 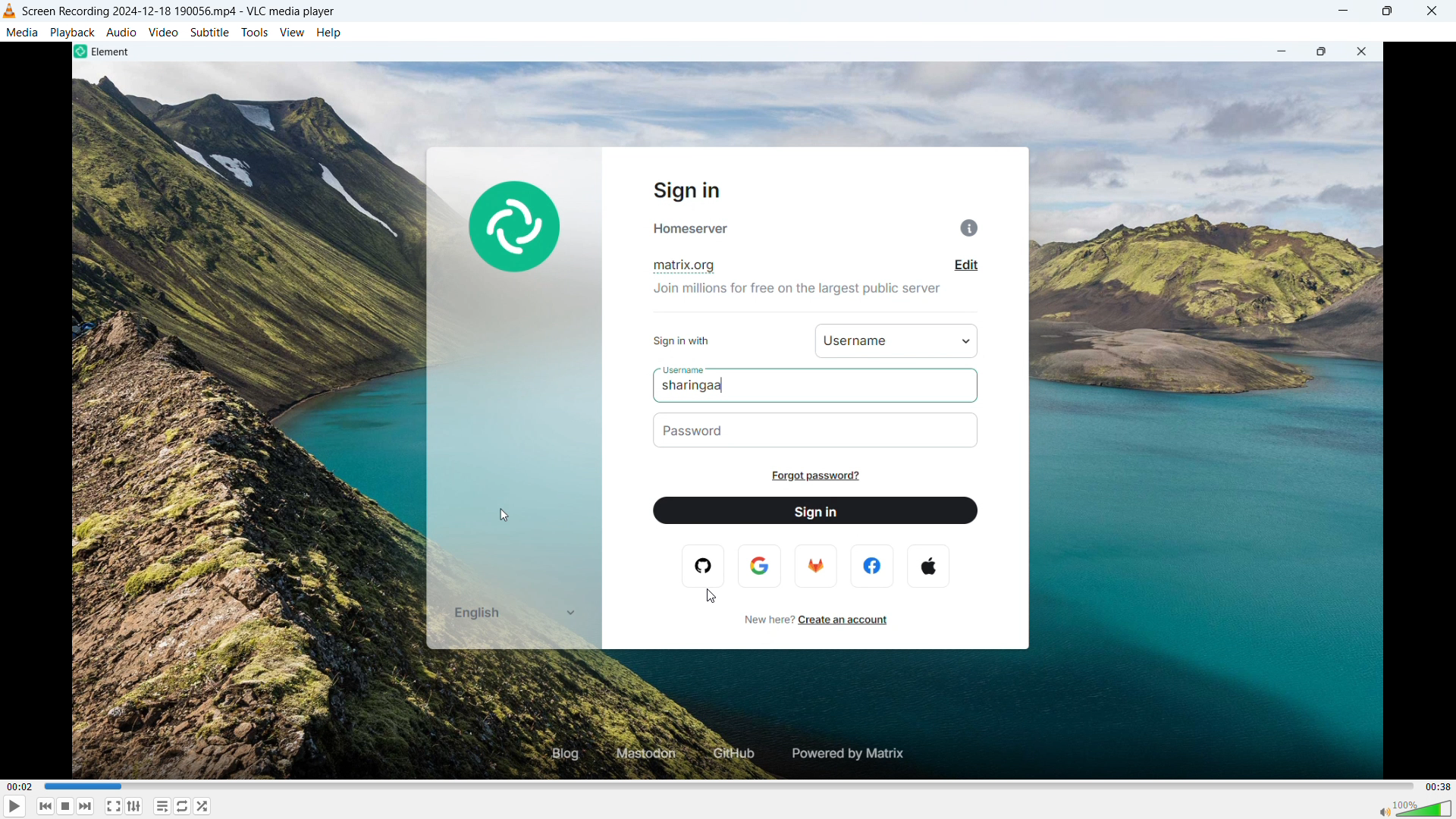 What do you see at coordinates (163, 32) in the screenshot?
I see `video` at bounding box center [163, 32].